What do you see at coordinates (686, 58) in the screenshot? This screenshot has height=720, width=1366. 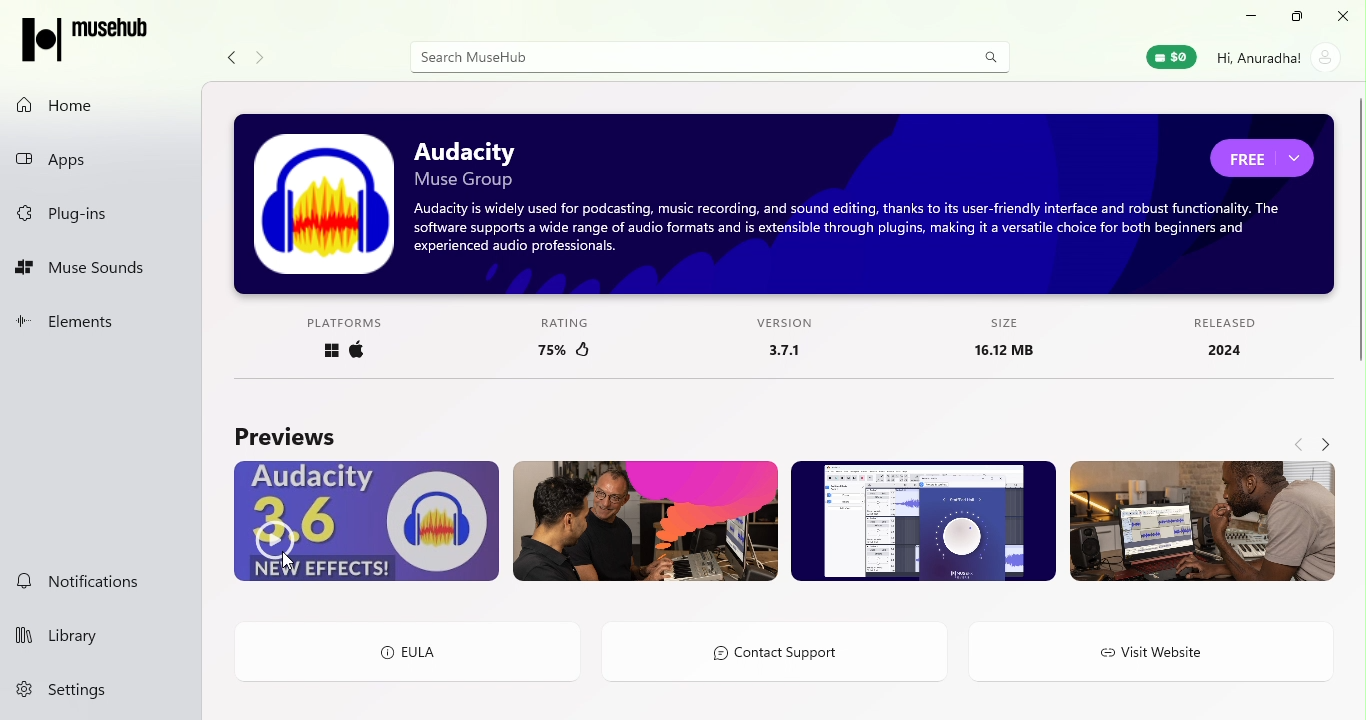 I see `Search bar` at bounding box center [686, 58].